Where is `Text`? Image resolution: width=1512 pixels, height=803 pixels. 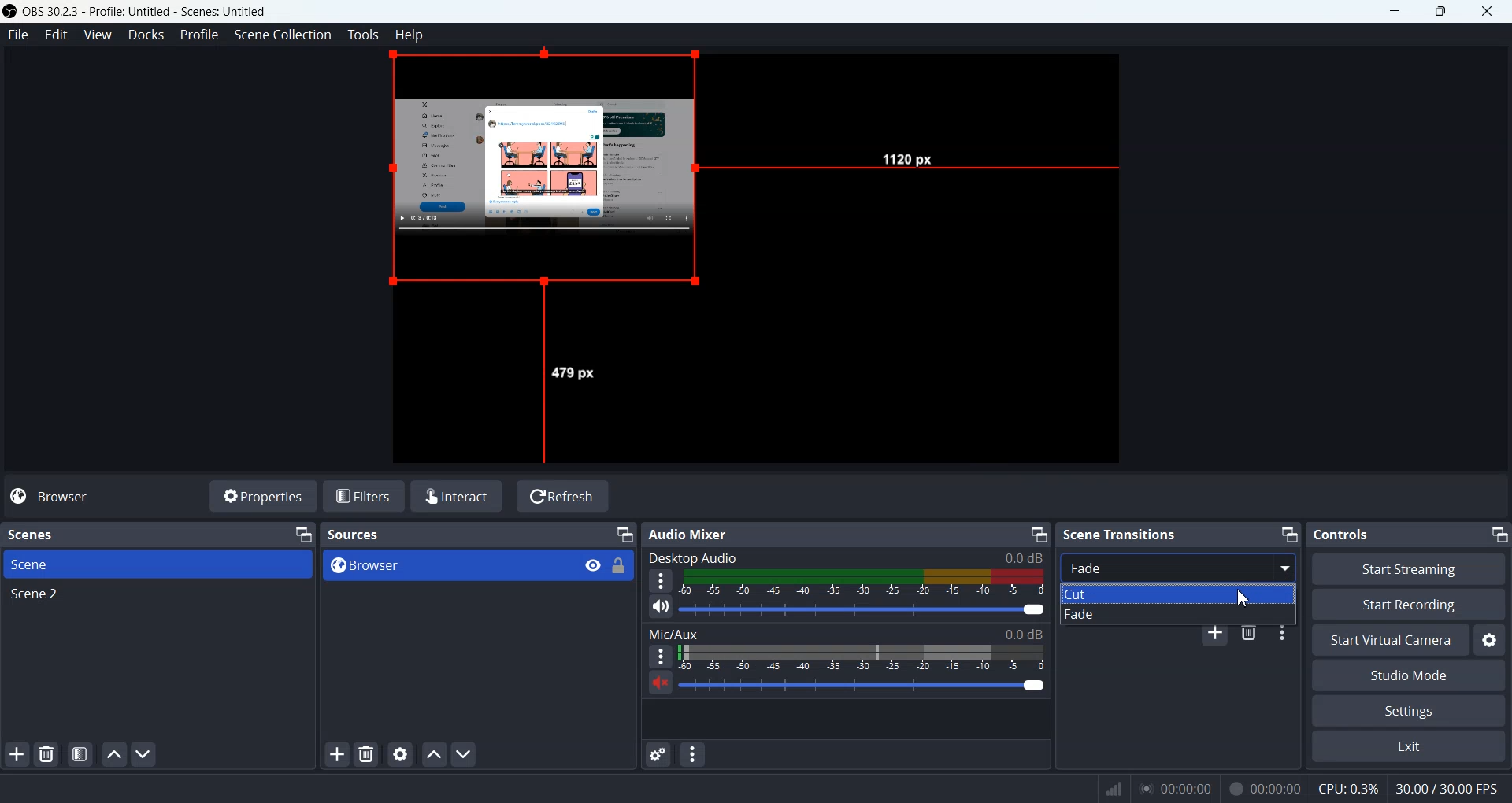
Text is located at coordinates (845, 557).